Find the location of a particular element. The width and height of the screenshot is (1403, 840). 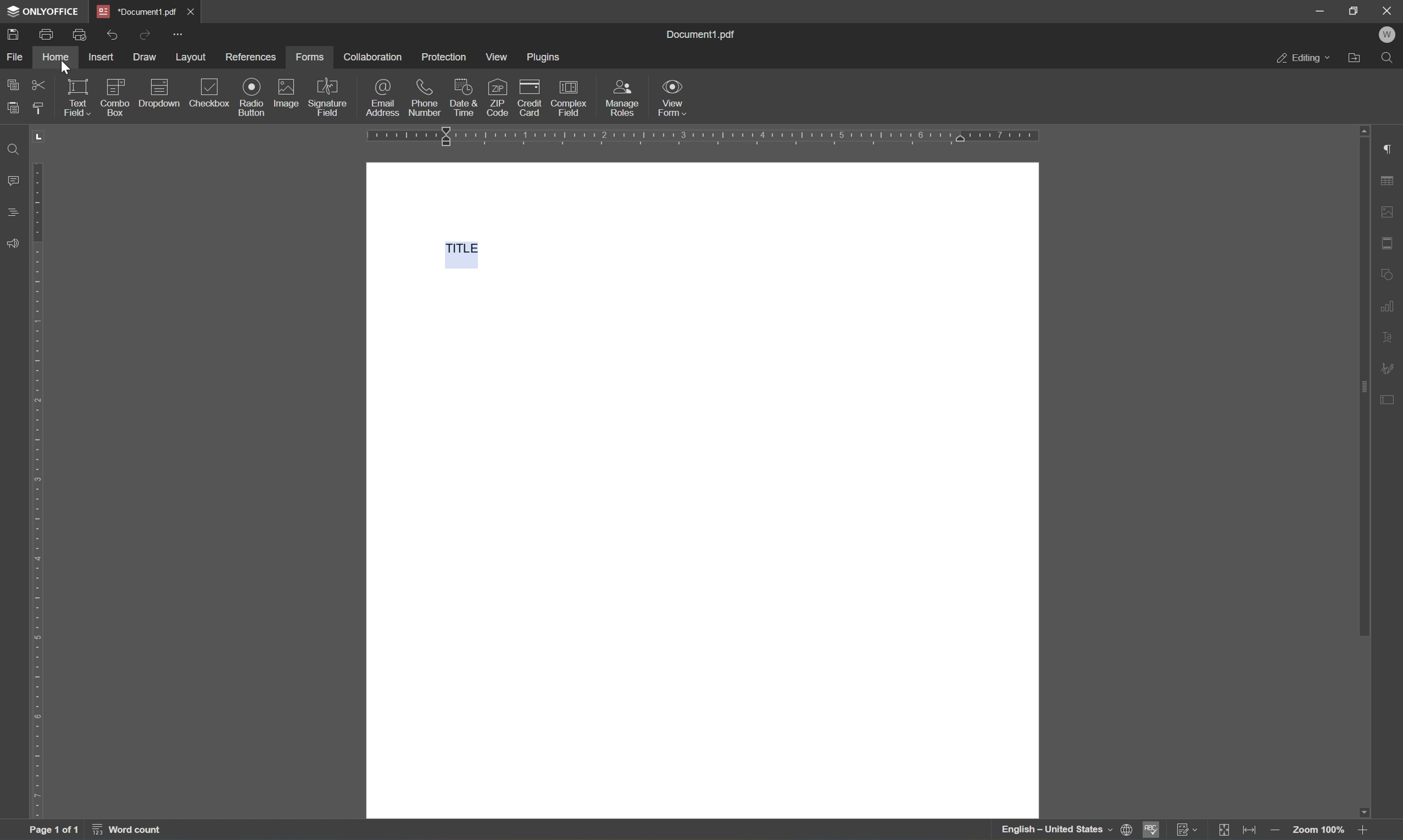

image is located at coordinates (289, 93).